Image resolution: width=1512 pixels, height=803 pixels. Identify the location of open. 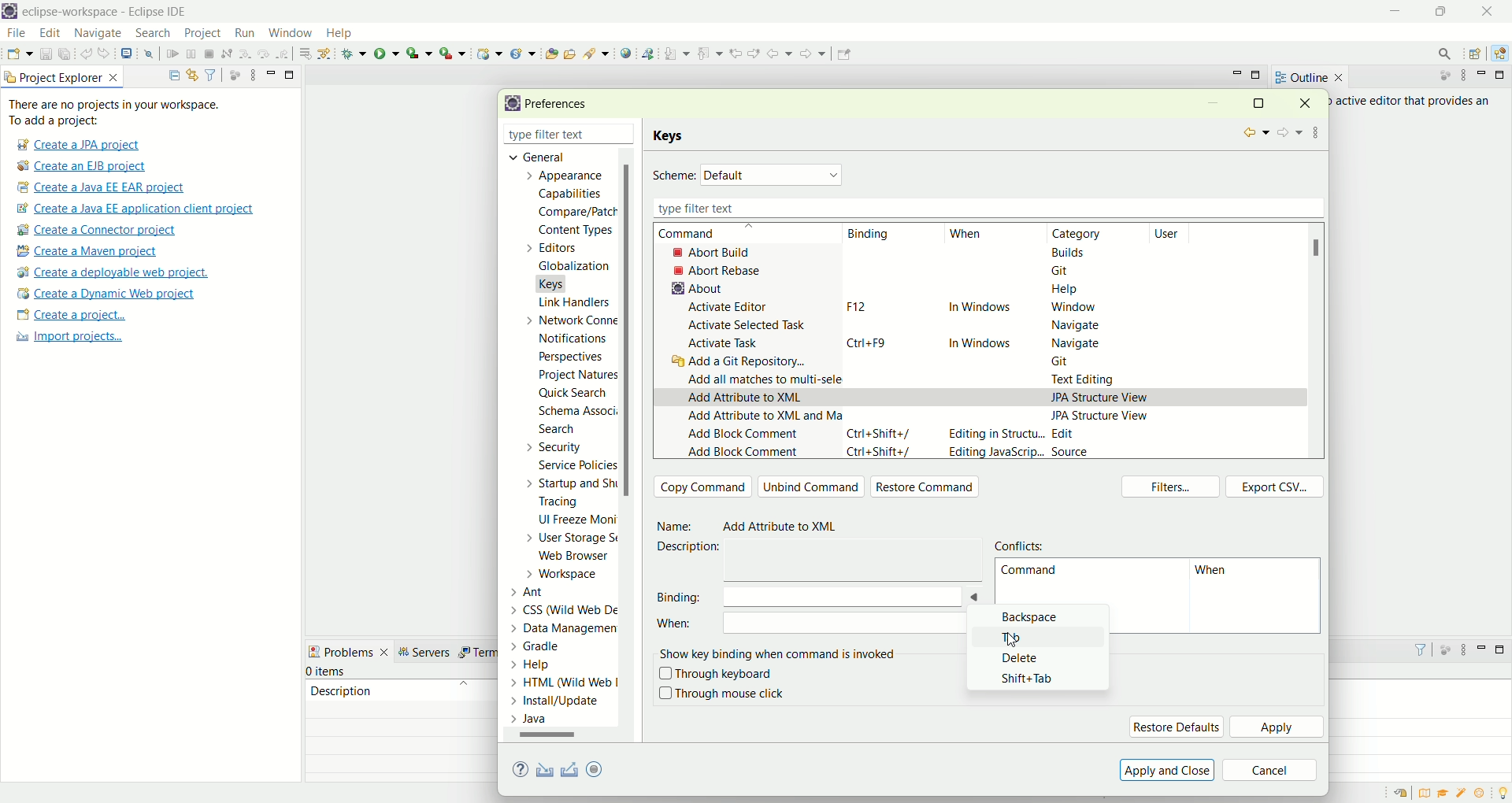
(20, 56).